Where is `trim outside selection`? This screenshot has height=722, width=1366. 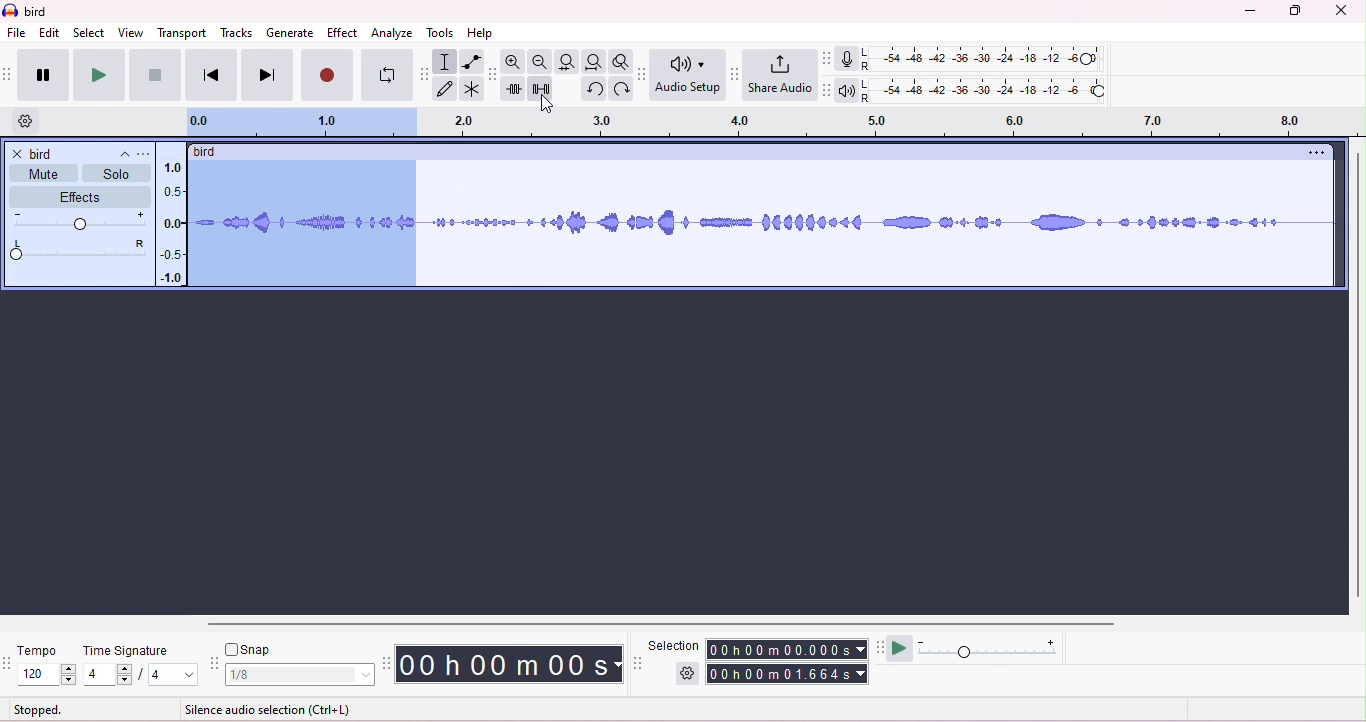
trim outside selection is located at coordinates (517, 89).